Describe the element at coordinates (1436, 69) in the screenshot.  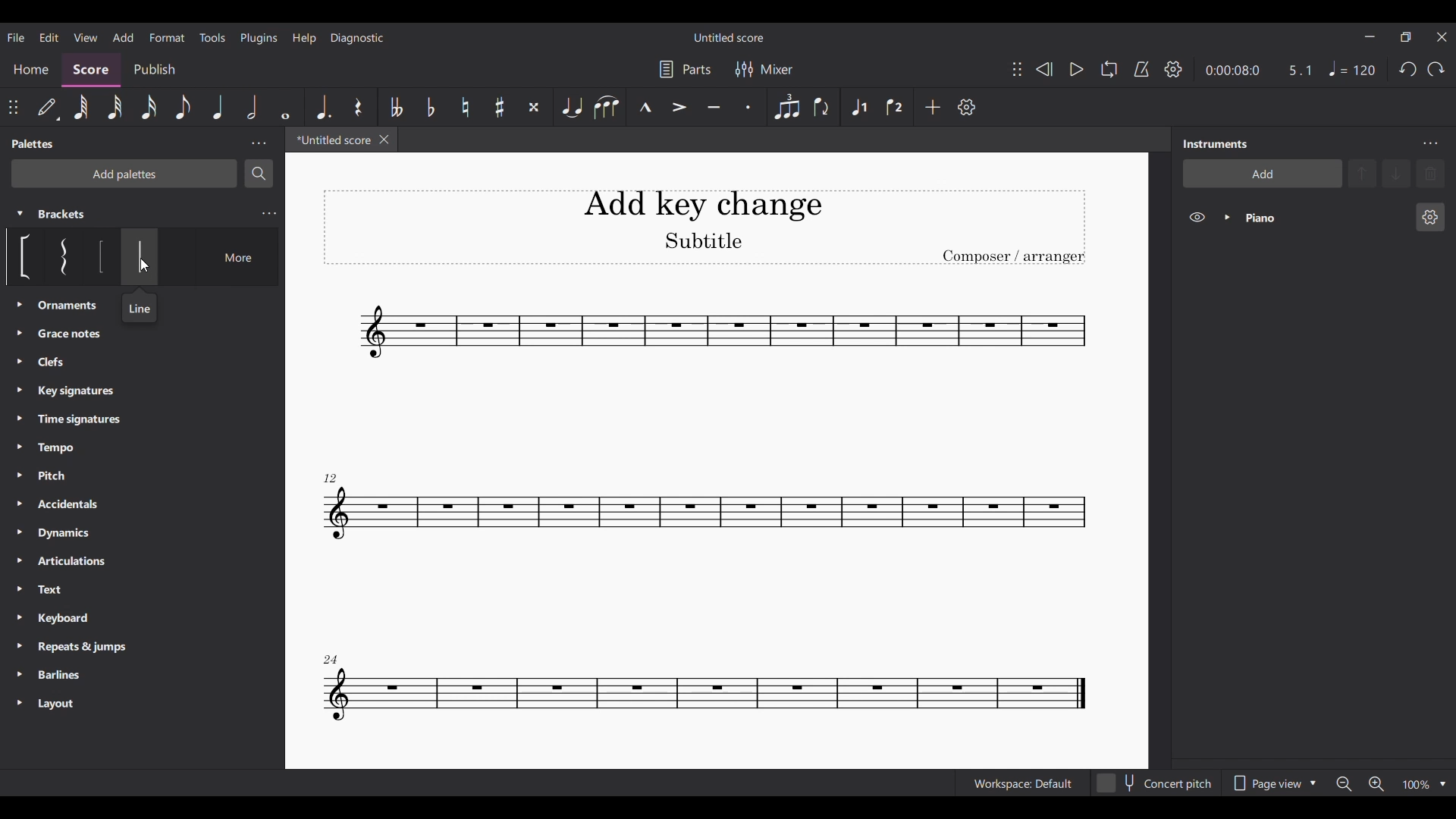
I see `Redo` at that location.